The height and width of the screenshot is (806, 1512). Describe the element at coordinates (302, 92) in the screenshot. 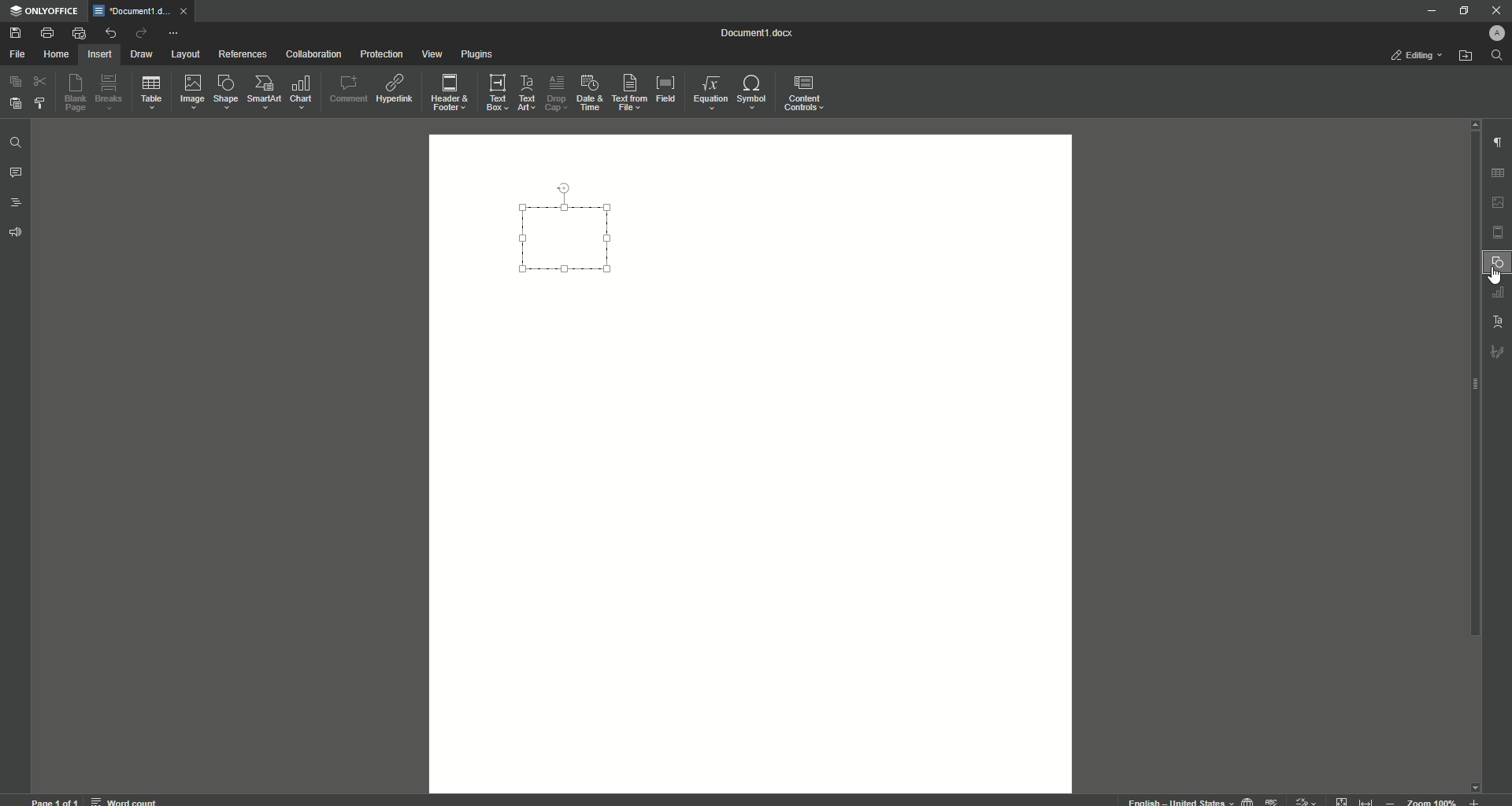

I see `Chart` at that location.